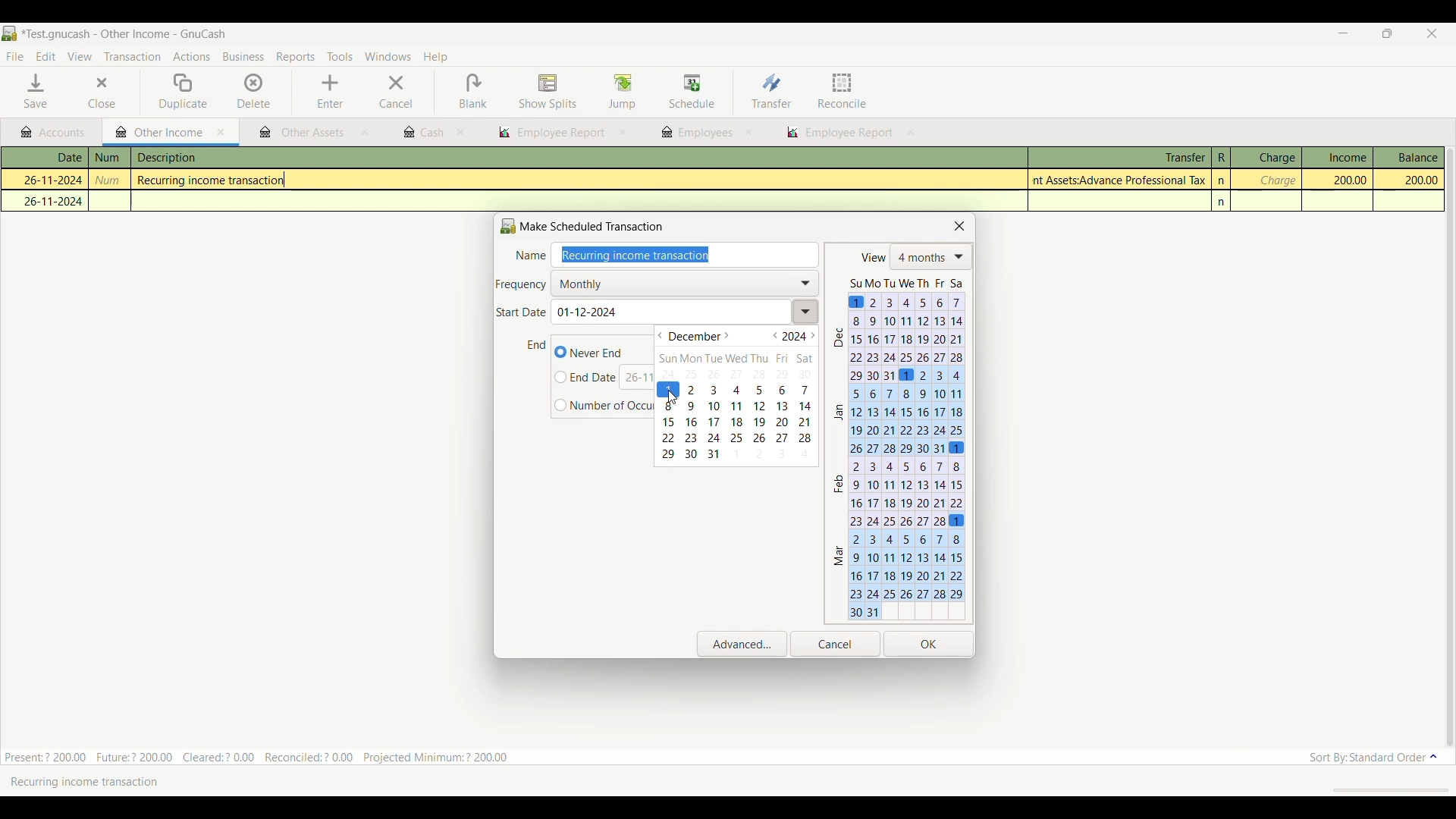 The image size is (1456, 819). I want to click on Current year, so click(795, 337).